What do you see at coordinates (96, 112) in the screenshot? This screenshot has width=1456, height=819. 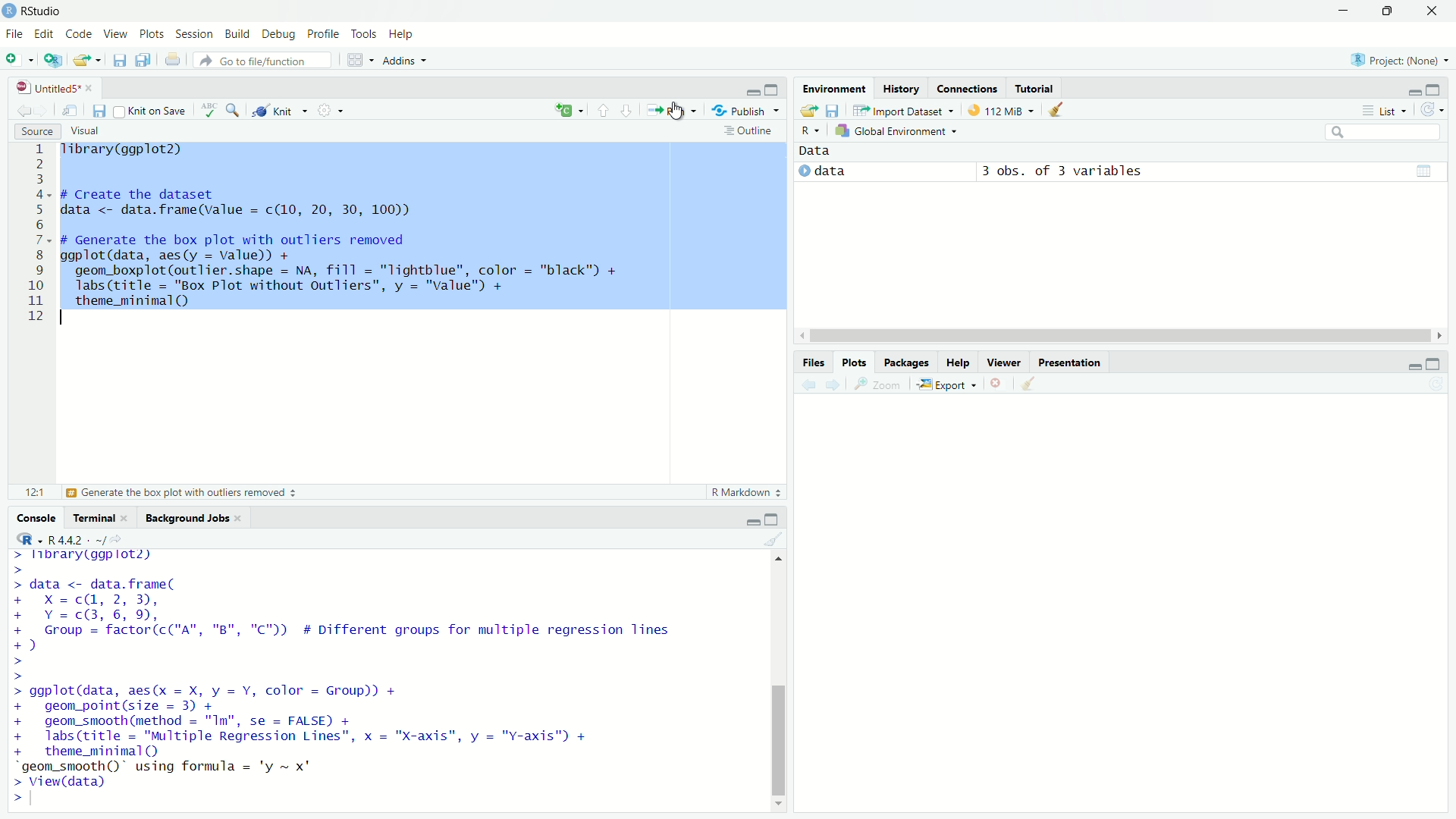 I see `files` at bounding box center [96, 112].